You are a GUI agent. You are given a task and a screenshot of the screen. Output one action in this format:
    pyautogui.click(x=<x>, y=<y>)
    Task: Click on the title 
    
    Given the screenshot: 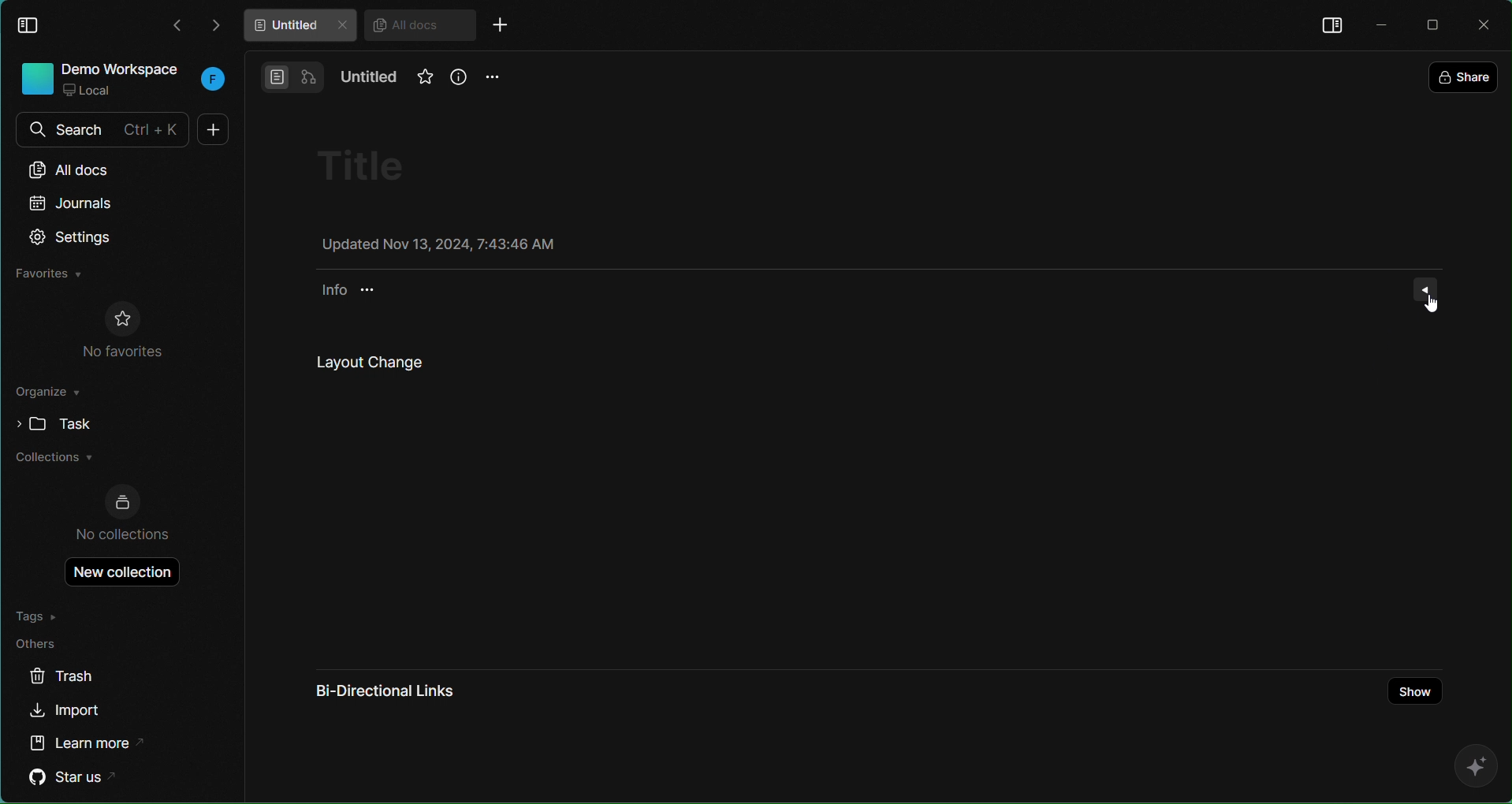 What is the action you would take?
    pyautogui.click(x=372, y=165)
    